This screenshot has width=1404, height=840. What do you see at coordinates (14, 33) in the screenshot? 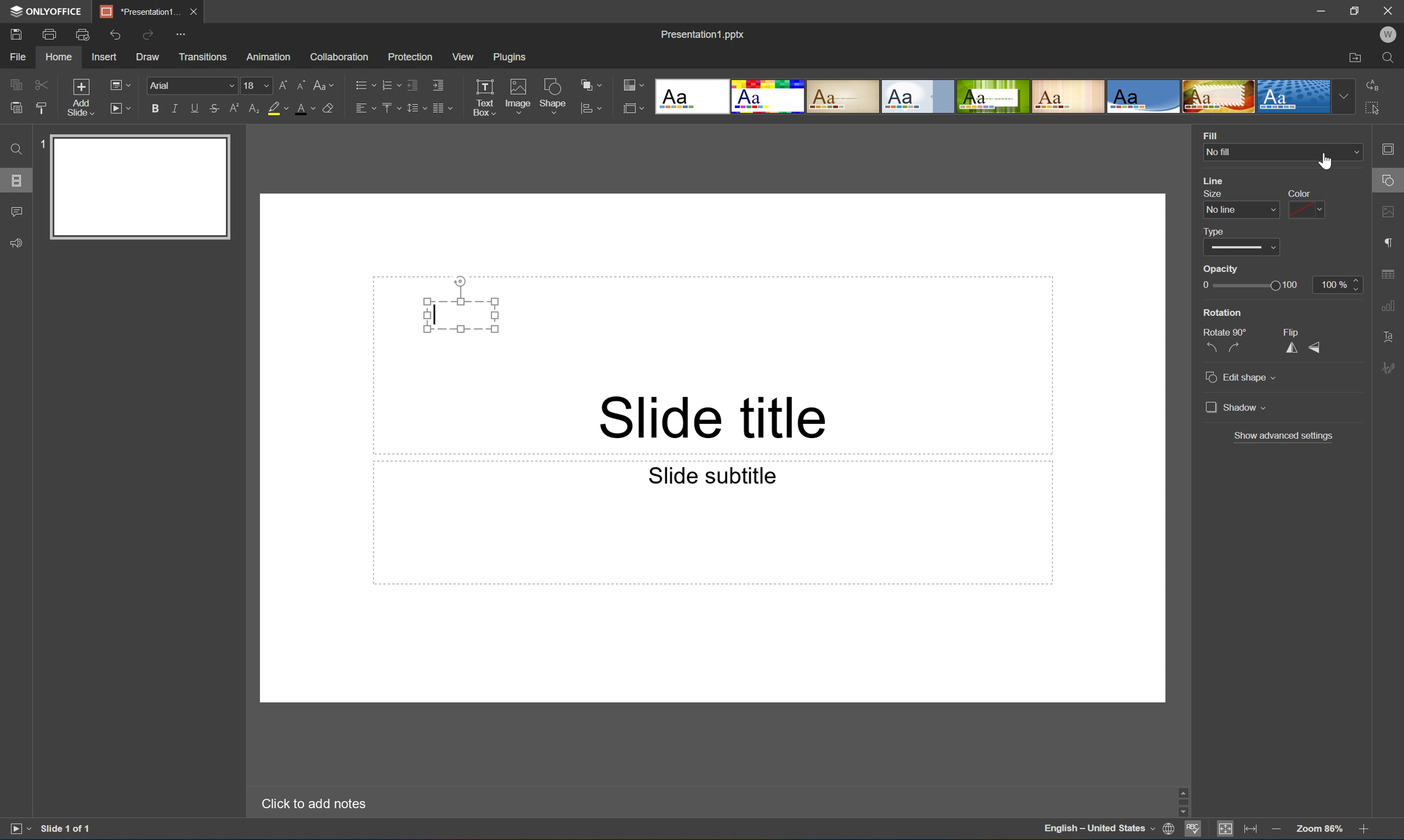
I see `Save` at bounding box center [14, 33].